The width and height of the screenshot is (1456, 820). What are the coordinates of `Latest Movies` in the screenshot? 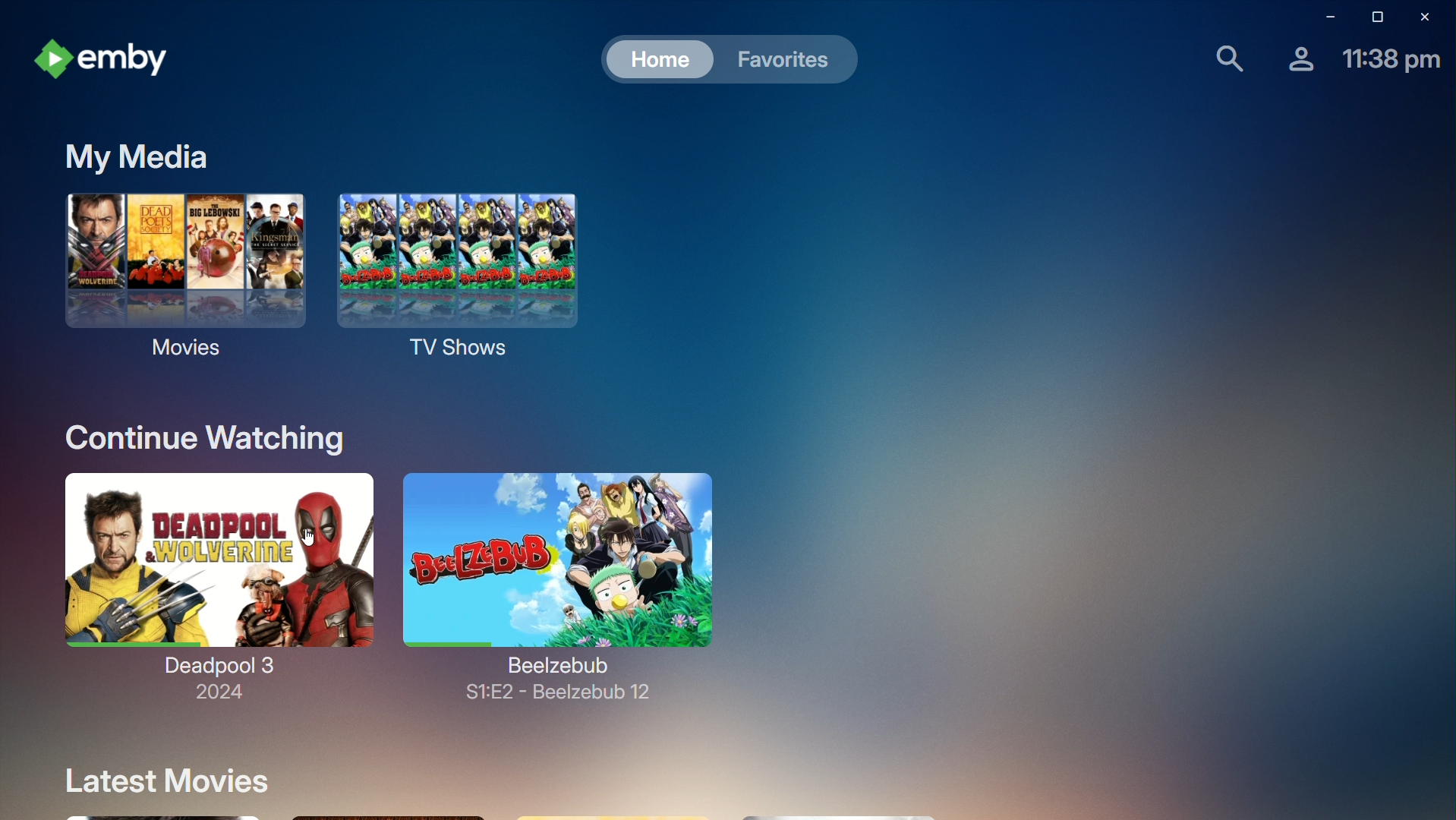 It's located at (158, 777).